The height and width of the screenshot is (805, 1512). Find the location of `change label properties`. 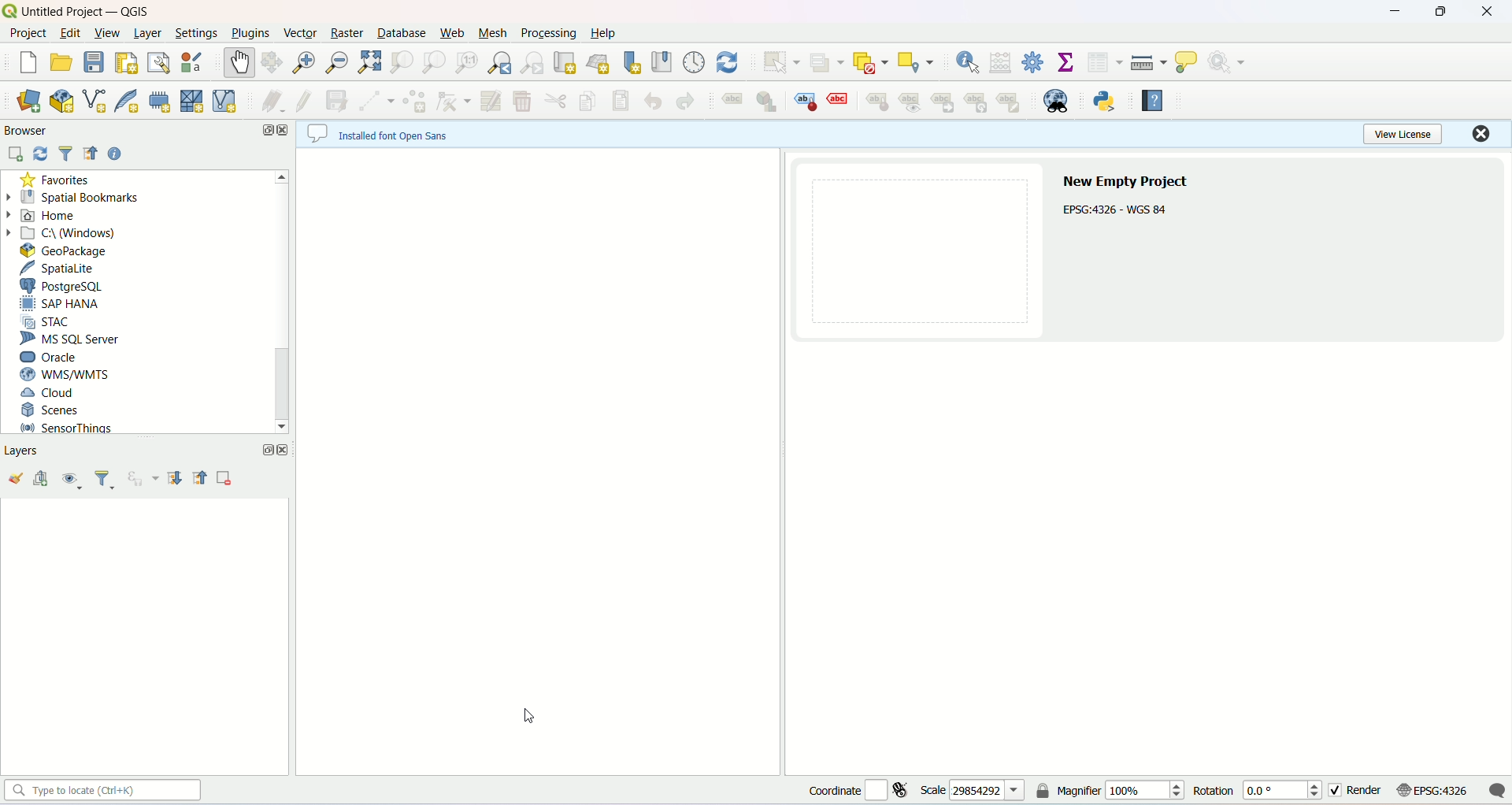

change label properties is located at coordinates (1008, 101).